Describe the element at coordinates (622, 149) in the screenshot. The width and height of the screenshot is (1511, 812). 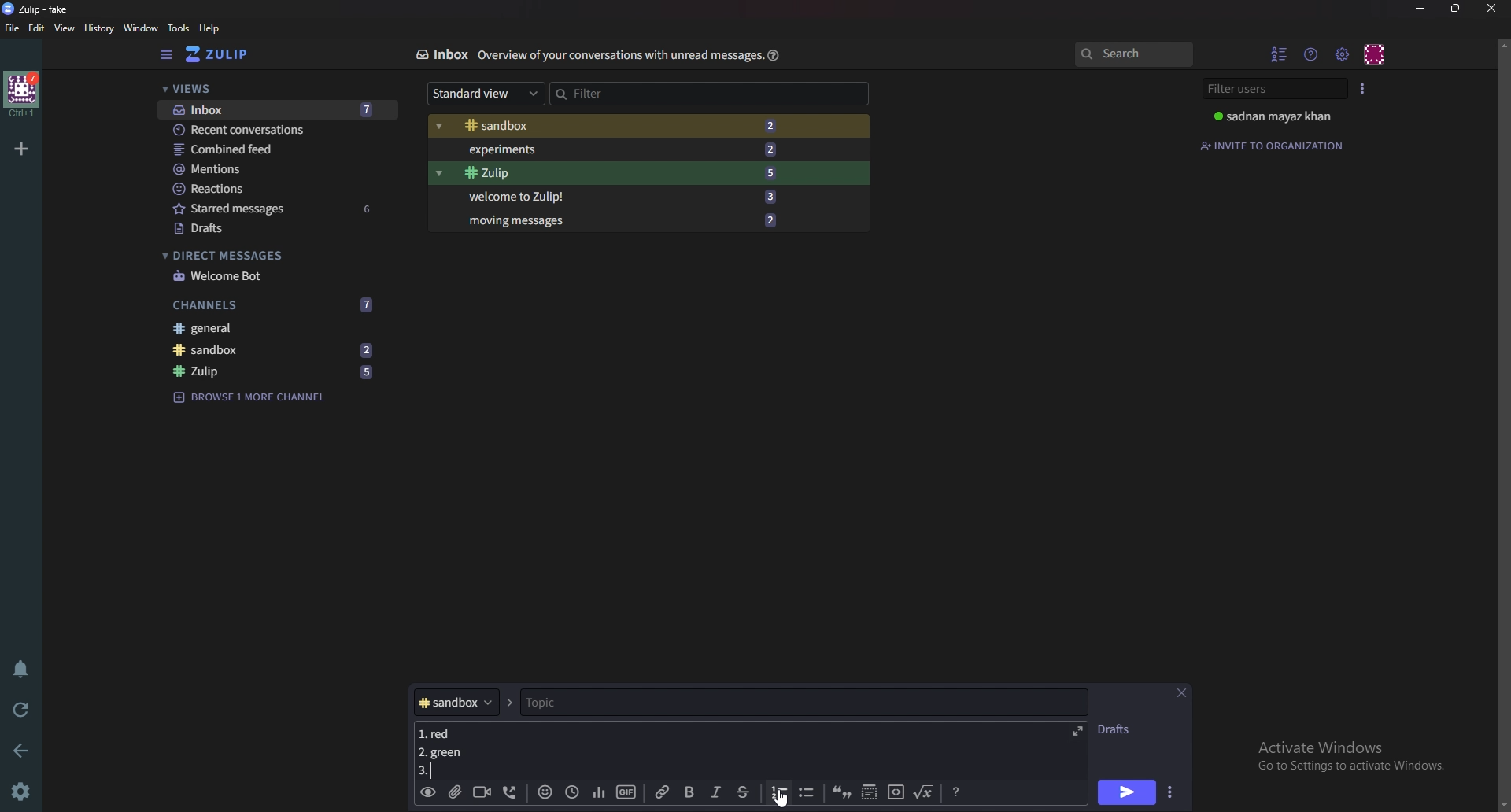
I see `Experiments` at that location.